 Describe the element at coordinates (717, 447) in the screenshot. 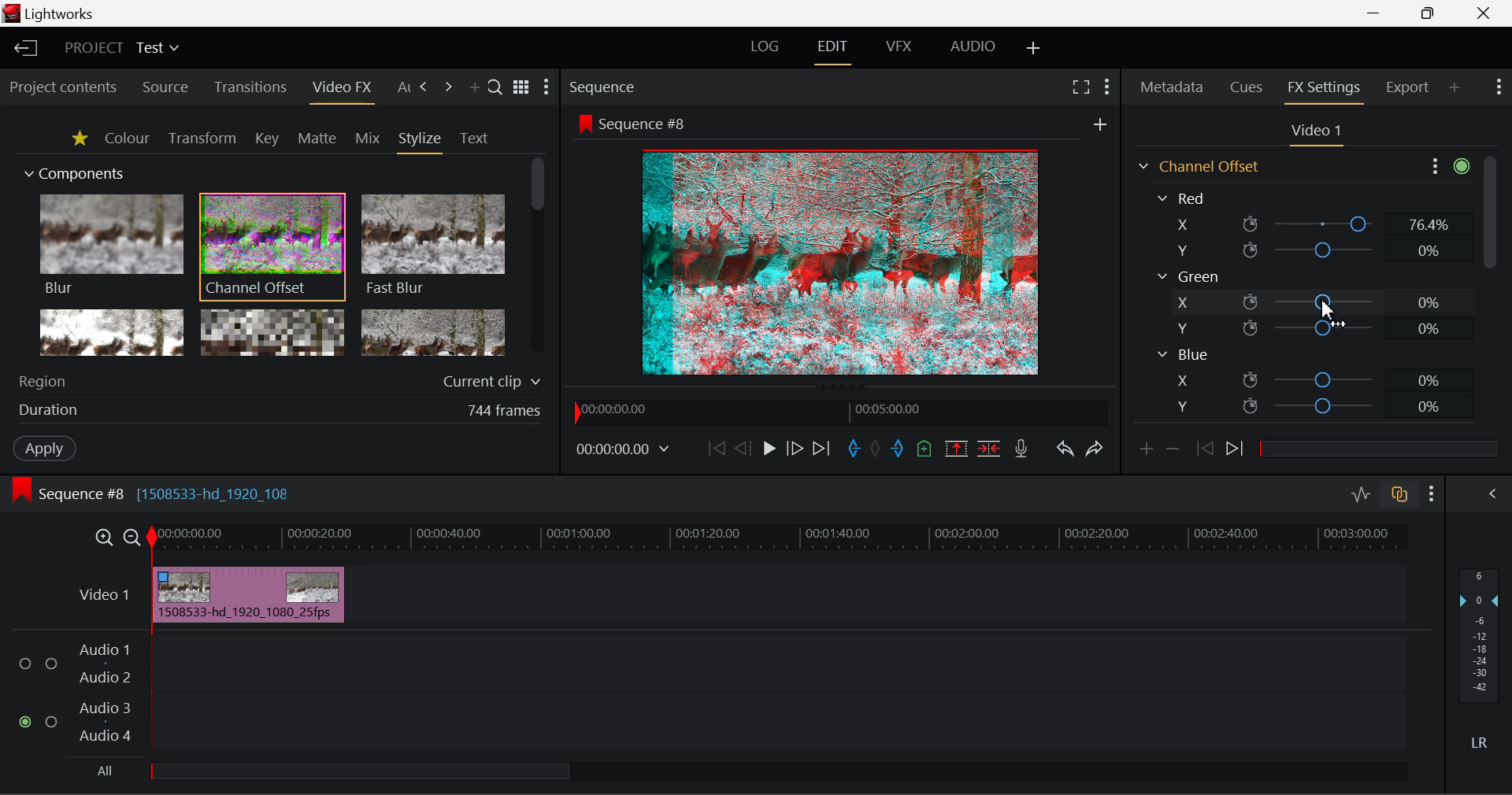

I see `To Start` at that location.